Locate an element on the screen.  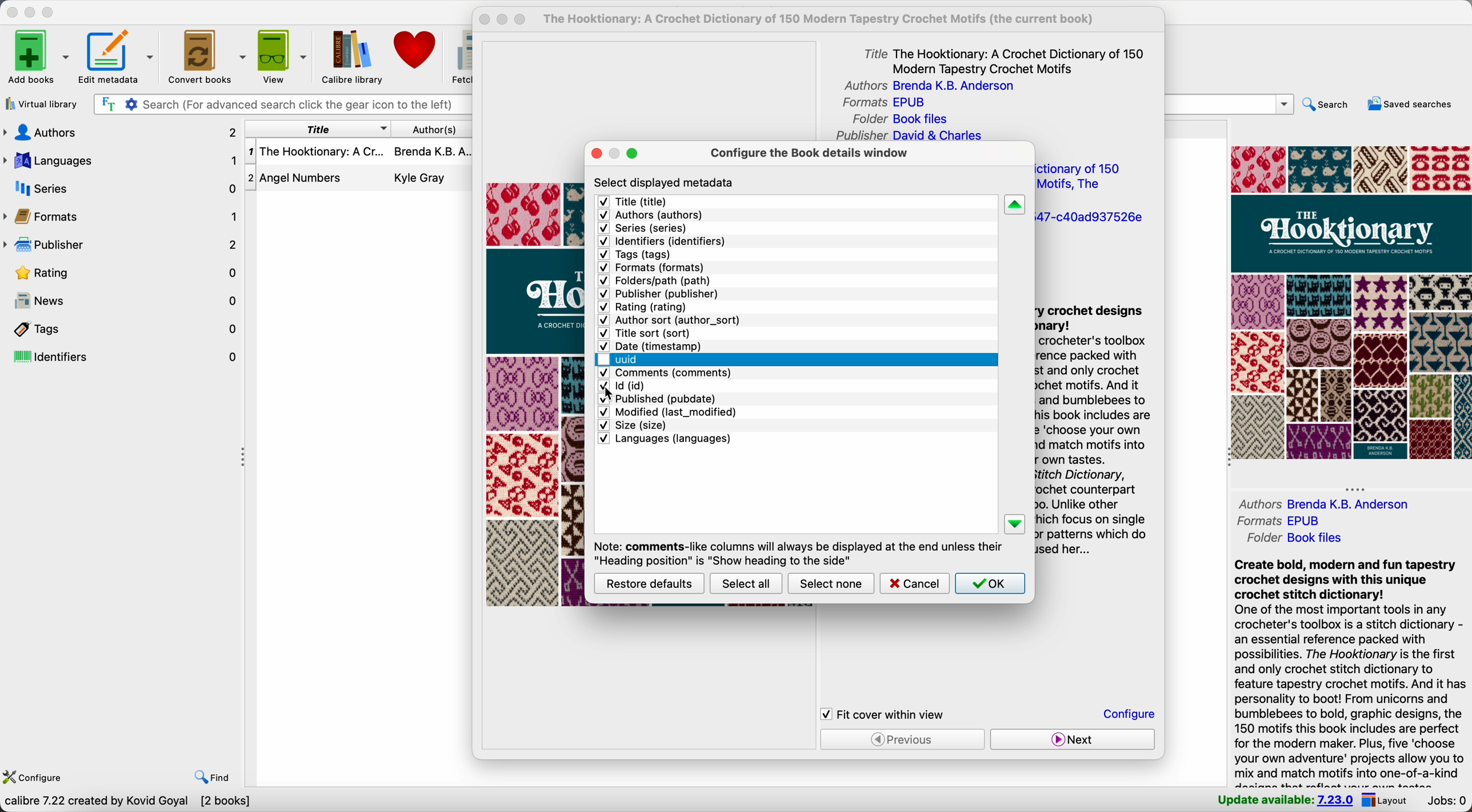
series is located at coordinates (645, 229).